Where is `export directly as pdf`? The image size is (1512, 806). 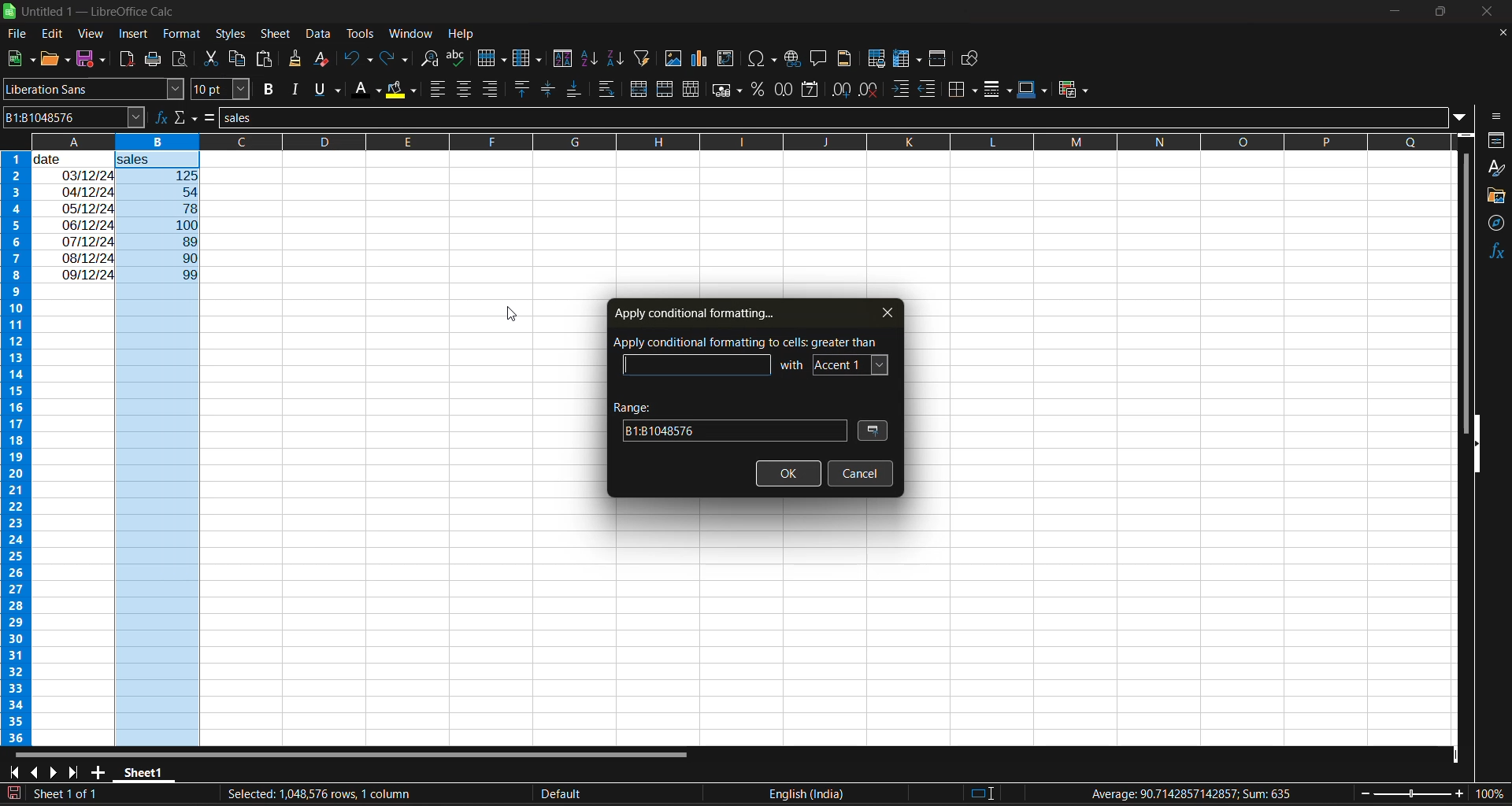
export directly as pdf is located at coordinates (128, 59).